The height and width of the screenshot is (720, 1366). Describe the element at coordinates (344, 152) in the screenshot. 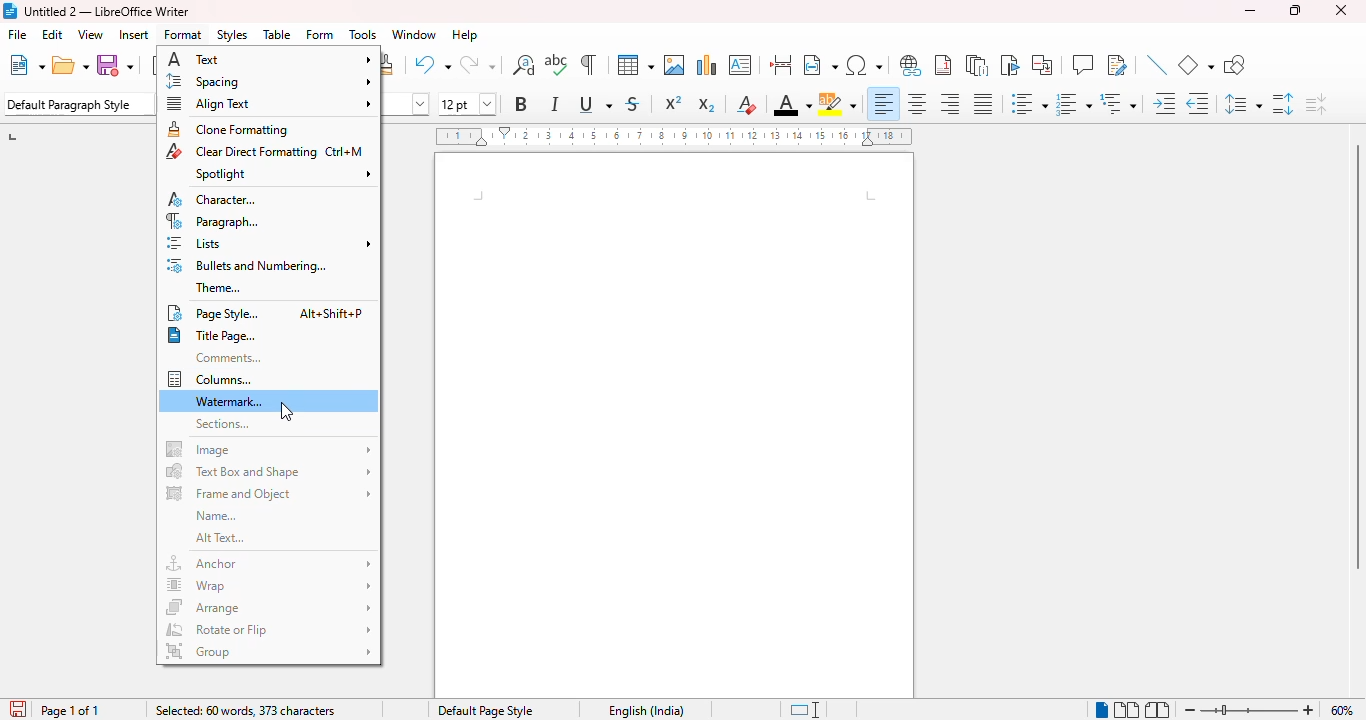

I see `shortcut for clear direct formatting` at that location.